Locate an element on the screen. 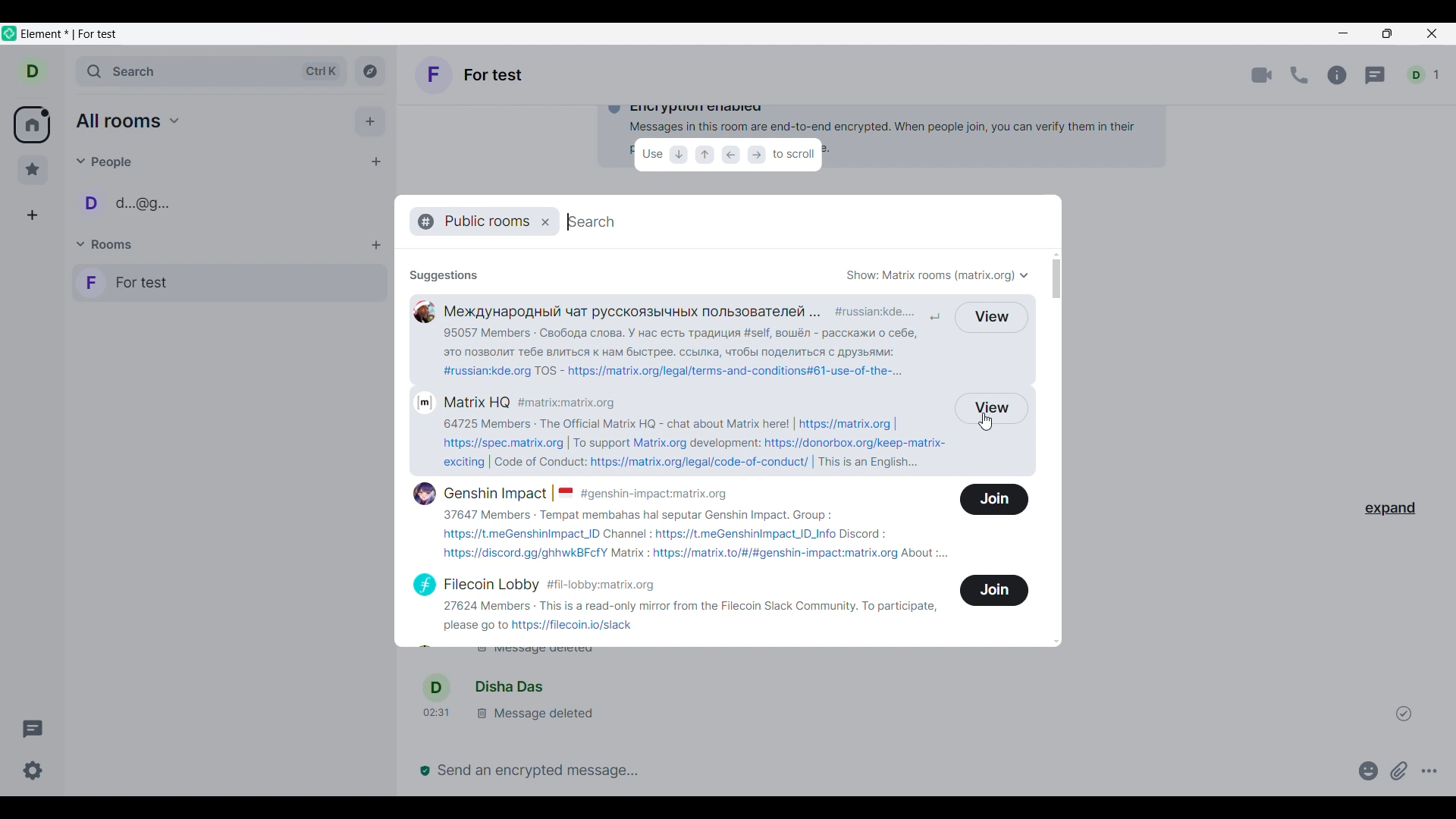  element logo is located at coordinates (9, 33).